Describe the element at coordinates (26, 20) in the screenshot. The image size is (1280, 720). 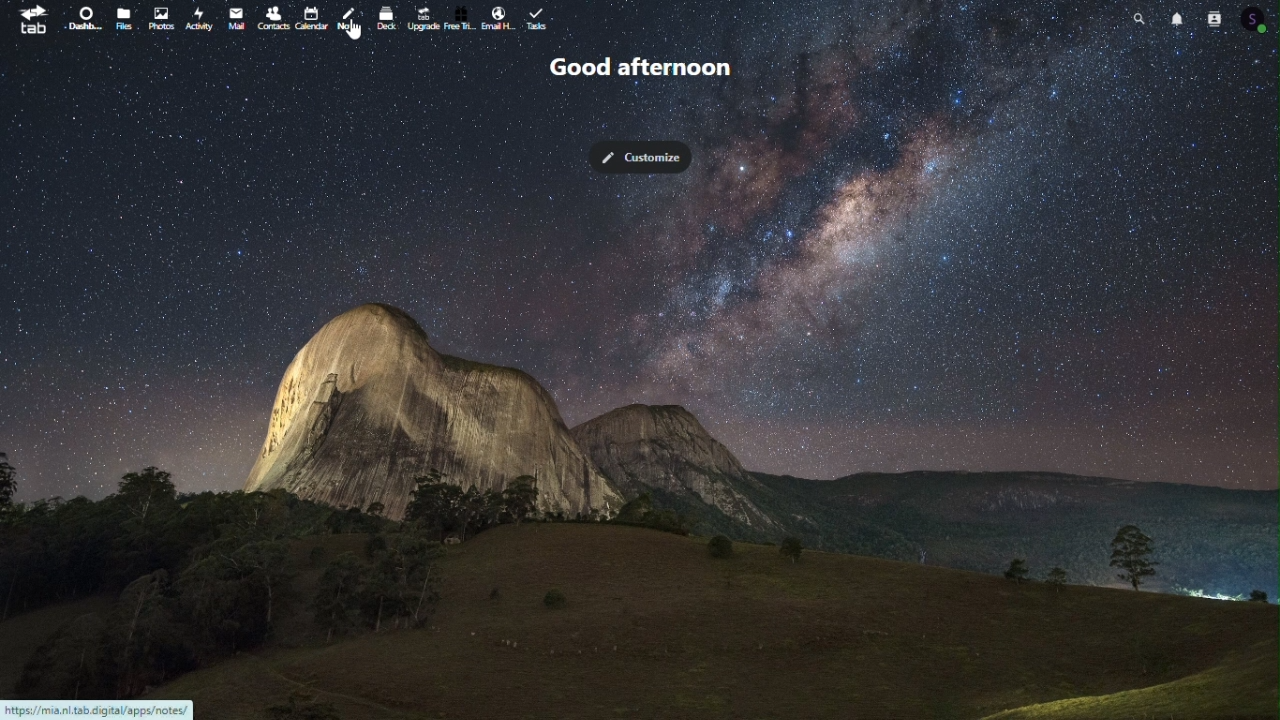
I see `tab` at that location.